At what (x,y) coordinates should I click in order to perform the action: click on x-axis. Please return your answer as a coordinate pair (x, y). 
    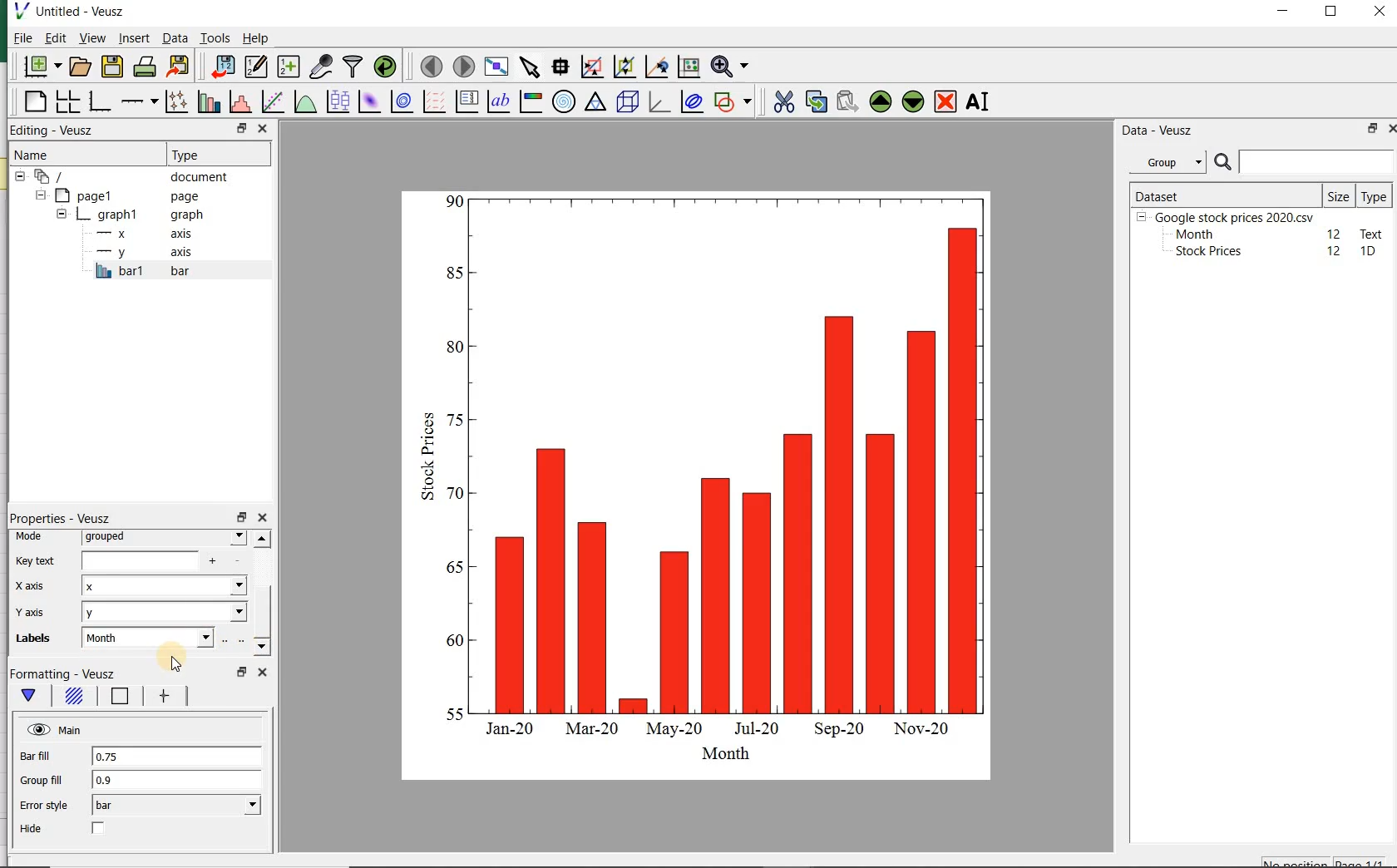
    Looking at the image, I should click on (32, 587).